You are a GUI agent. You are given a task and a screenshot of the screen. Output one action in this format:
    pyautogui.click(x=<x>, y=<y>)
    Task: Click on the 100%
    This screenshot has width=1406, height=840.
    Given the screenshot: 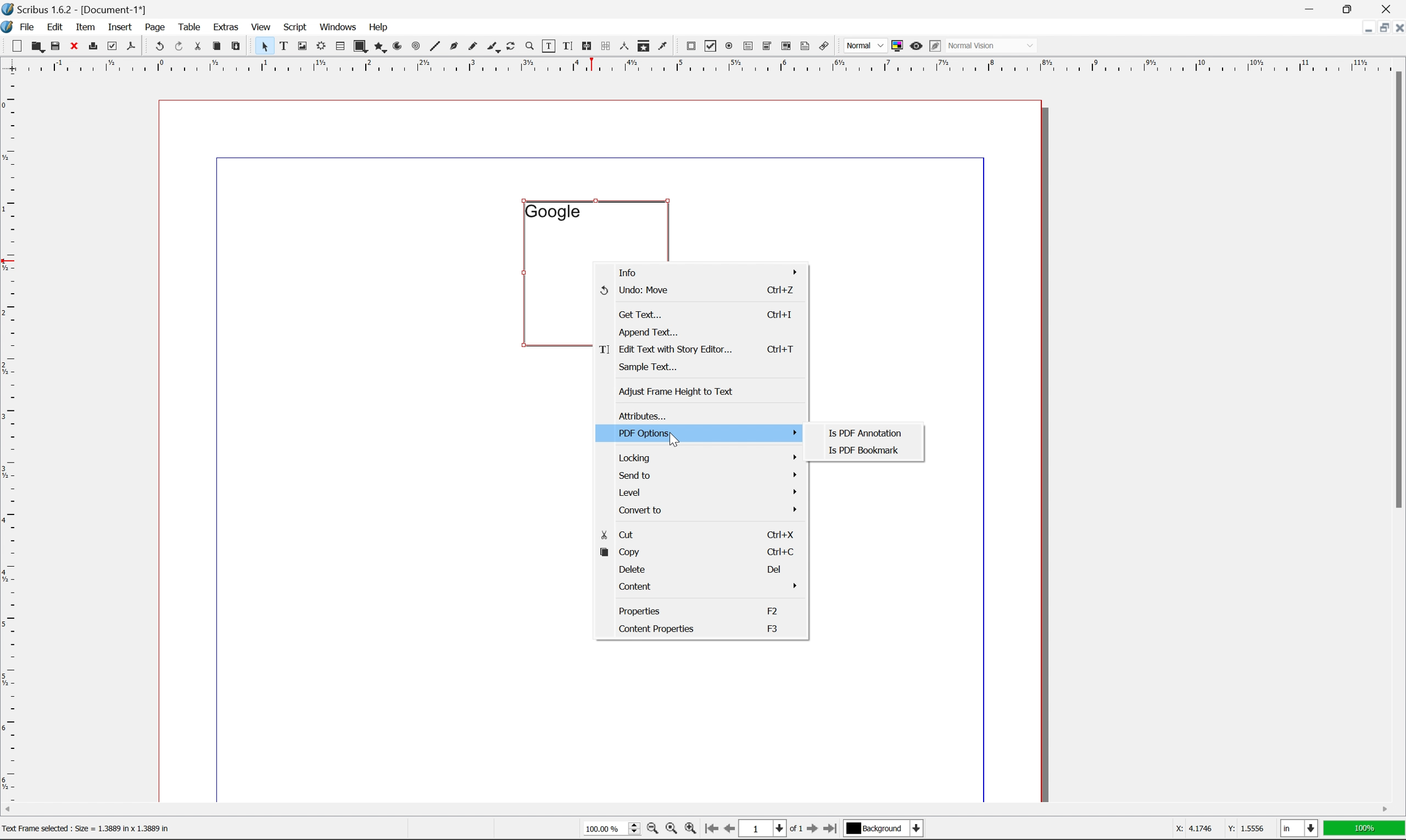 What is the action you would take?
    pyautogui.click(x=1365, y=829)
    